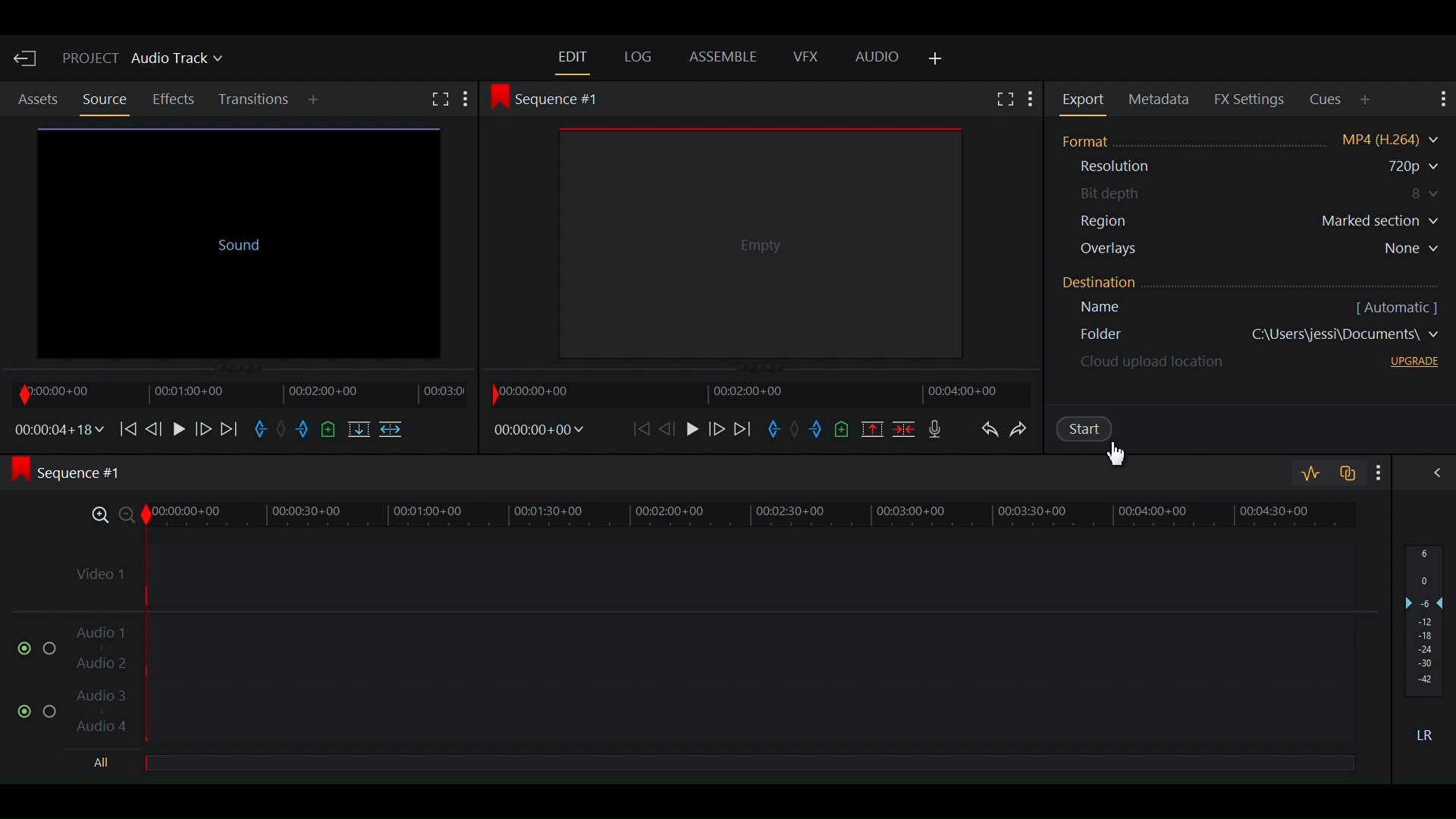 The height and width of the screenshot is (819, 1456). I want to click on VFX, so click(805, 57).